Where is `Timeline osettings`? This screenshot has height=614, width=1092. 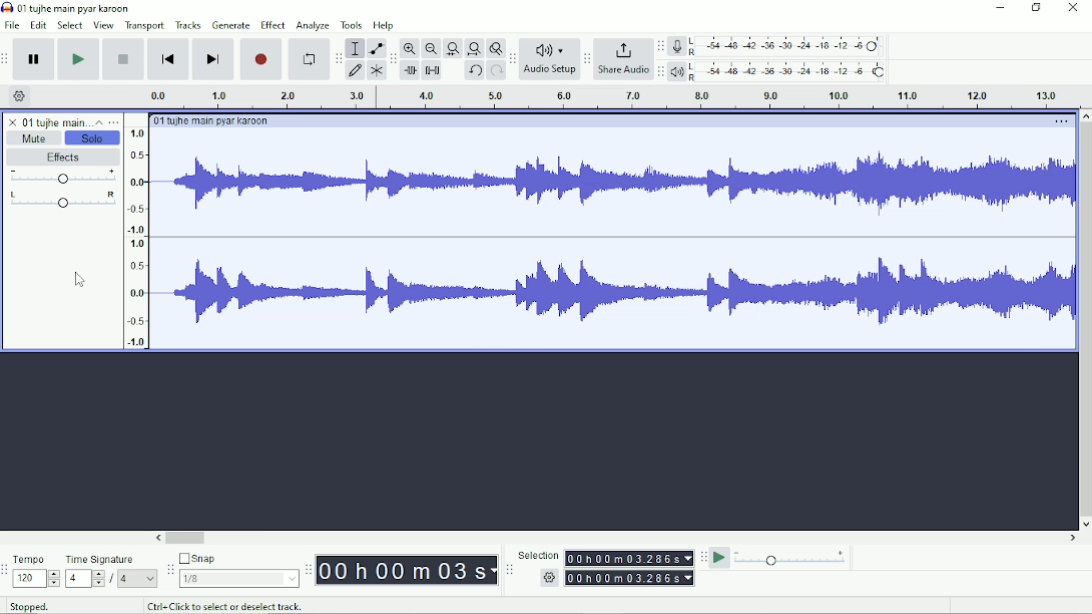
Timeline osettings is located at coordinates (20, 96).